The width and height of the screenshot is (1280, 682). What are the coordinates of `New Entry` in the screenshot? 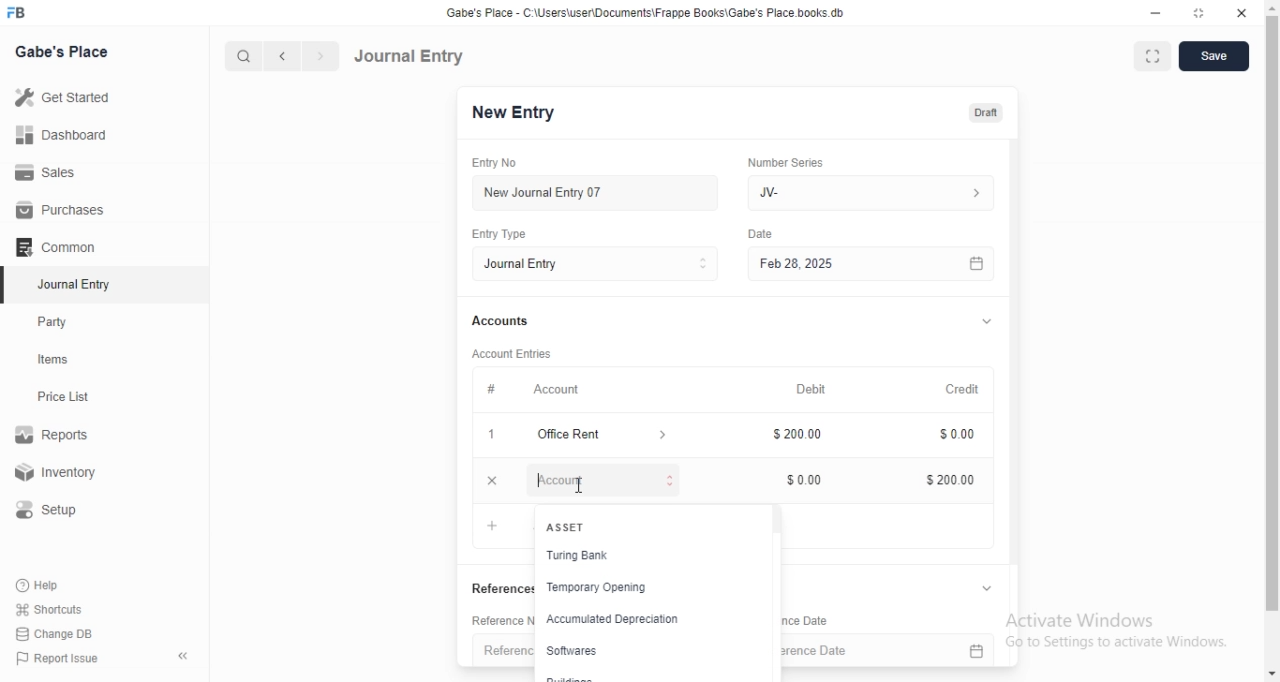 It's located at (521, 113).